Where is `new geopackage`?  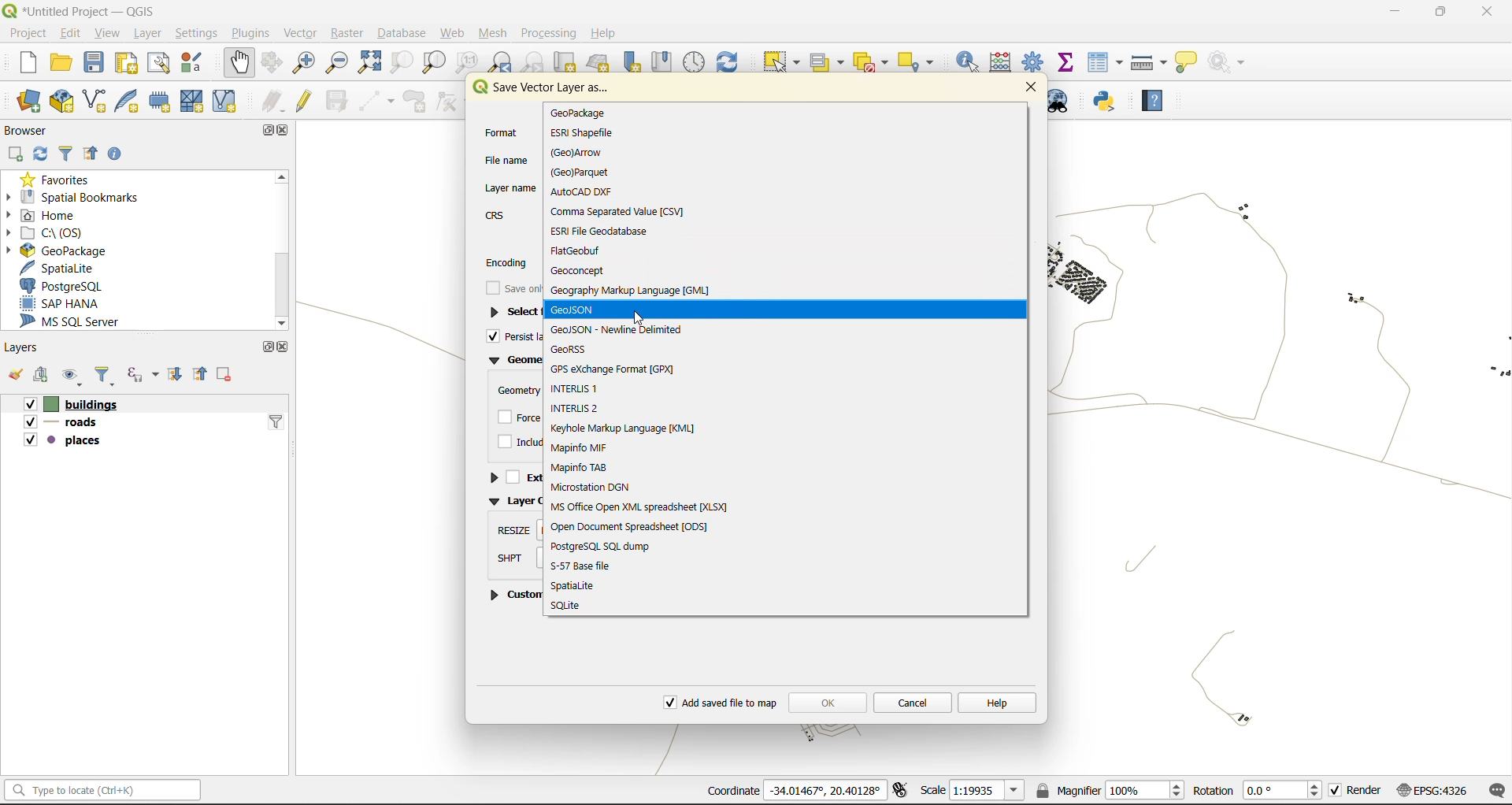 new geopackage is located at coordinates (61, 102).